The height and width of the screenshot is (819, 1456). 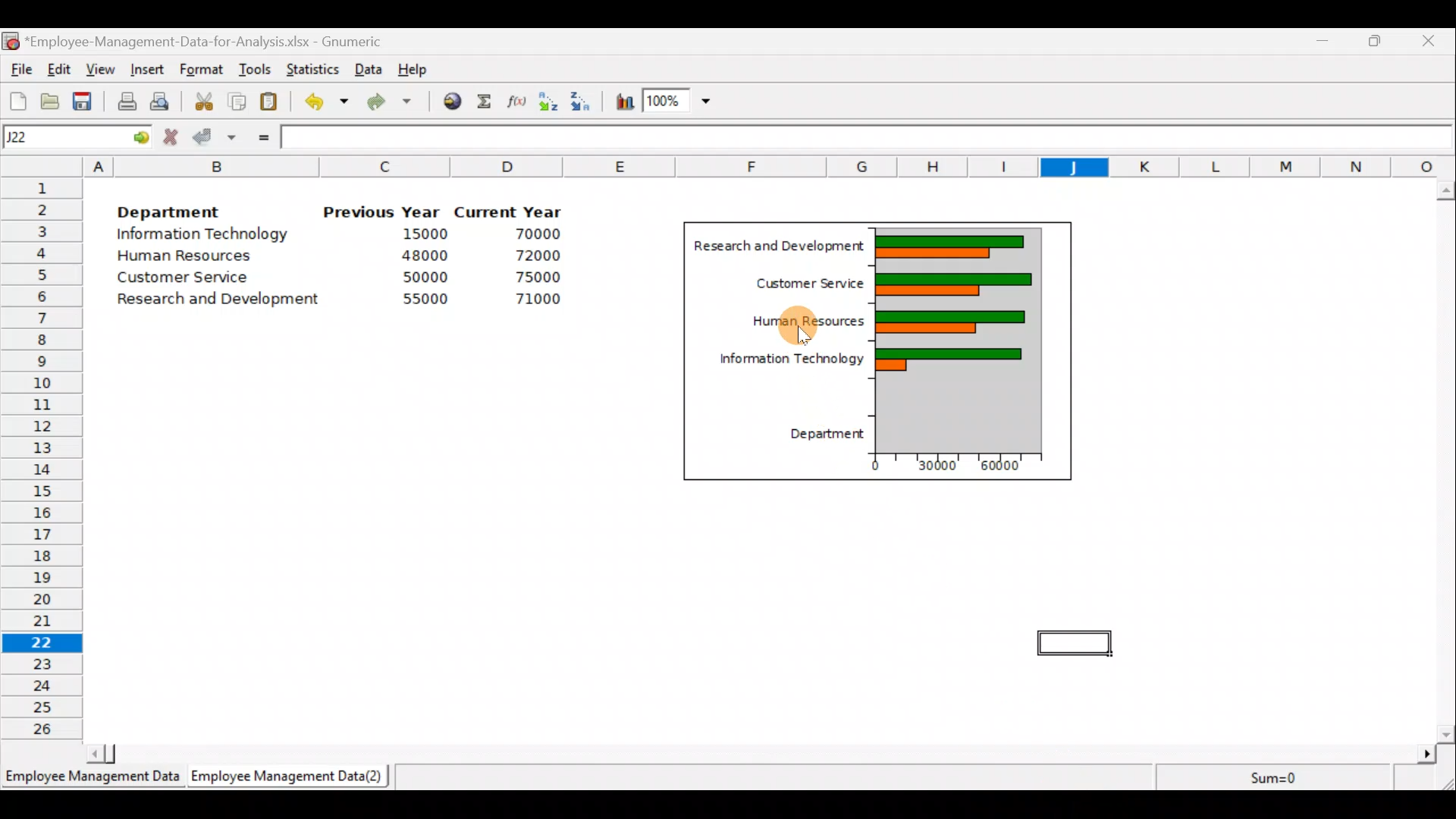 What do you see at coordinates (806, 283) in the screenshot?
I see `Customer Service` at bounding box center [806, 283].